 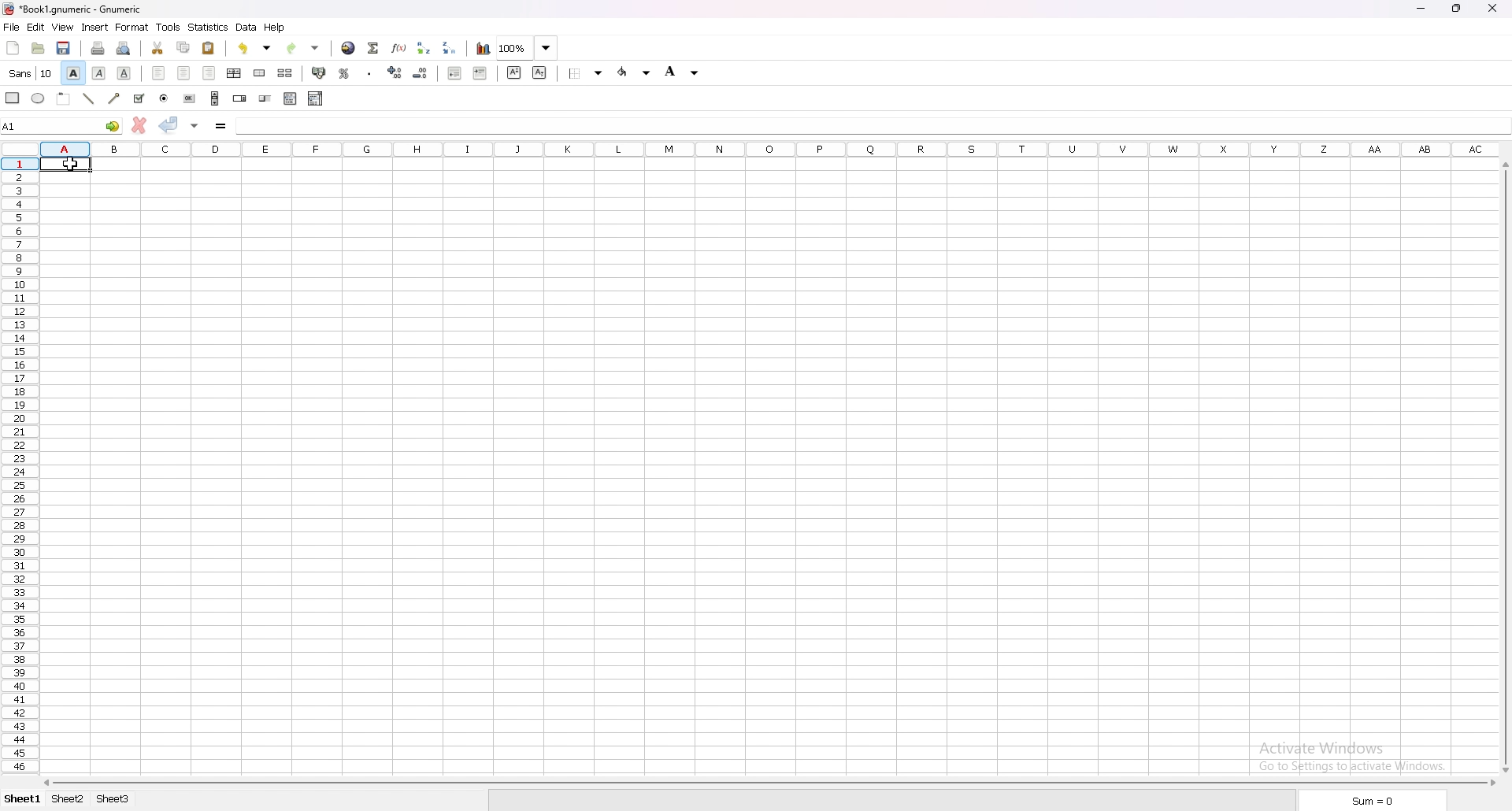 What do you see at coordinates (209, 27) in the screenshot?
I see `statistics` at bounding box center [209, 27].